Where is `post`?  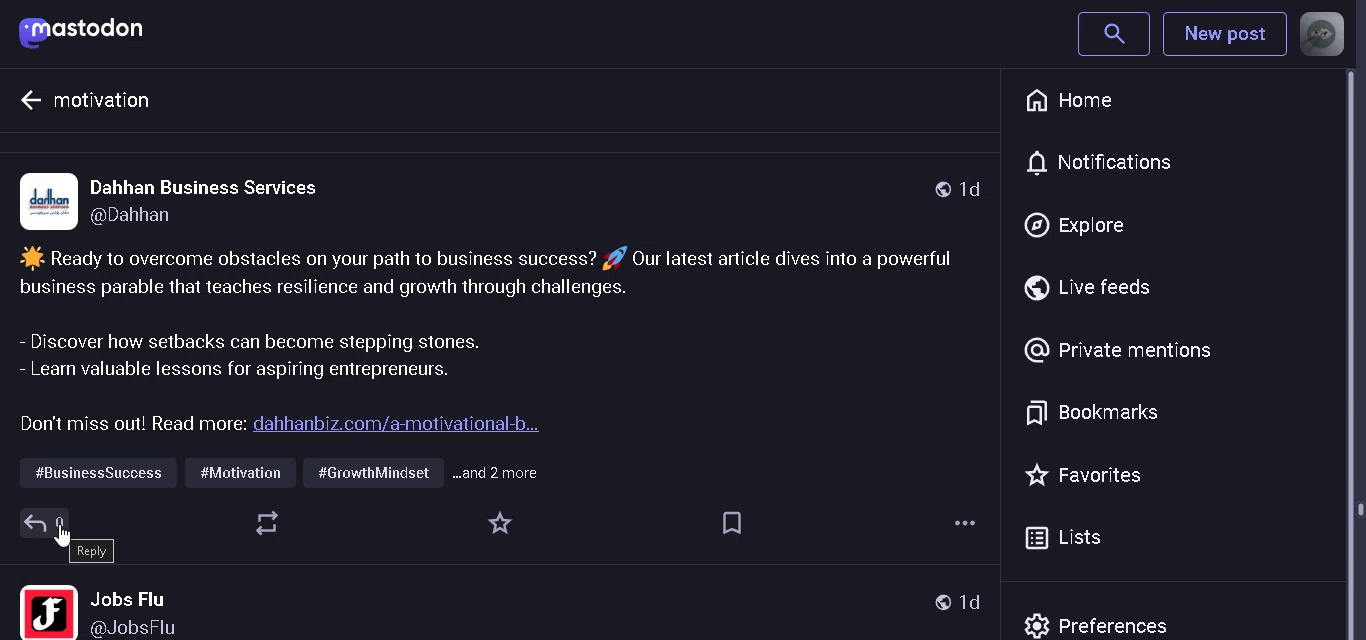 post is located at coordinates (486, 344).